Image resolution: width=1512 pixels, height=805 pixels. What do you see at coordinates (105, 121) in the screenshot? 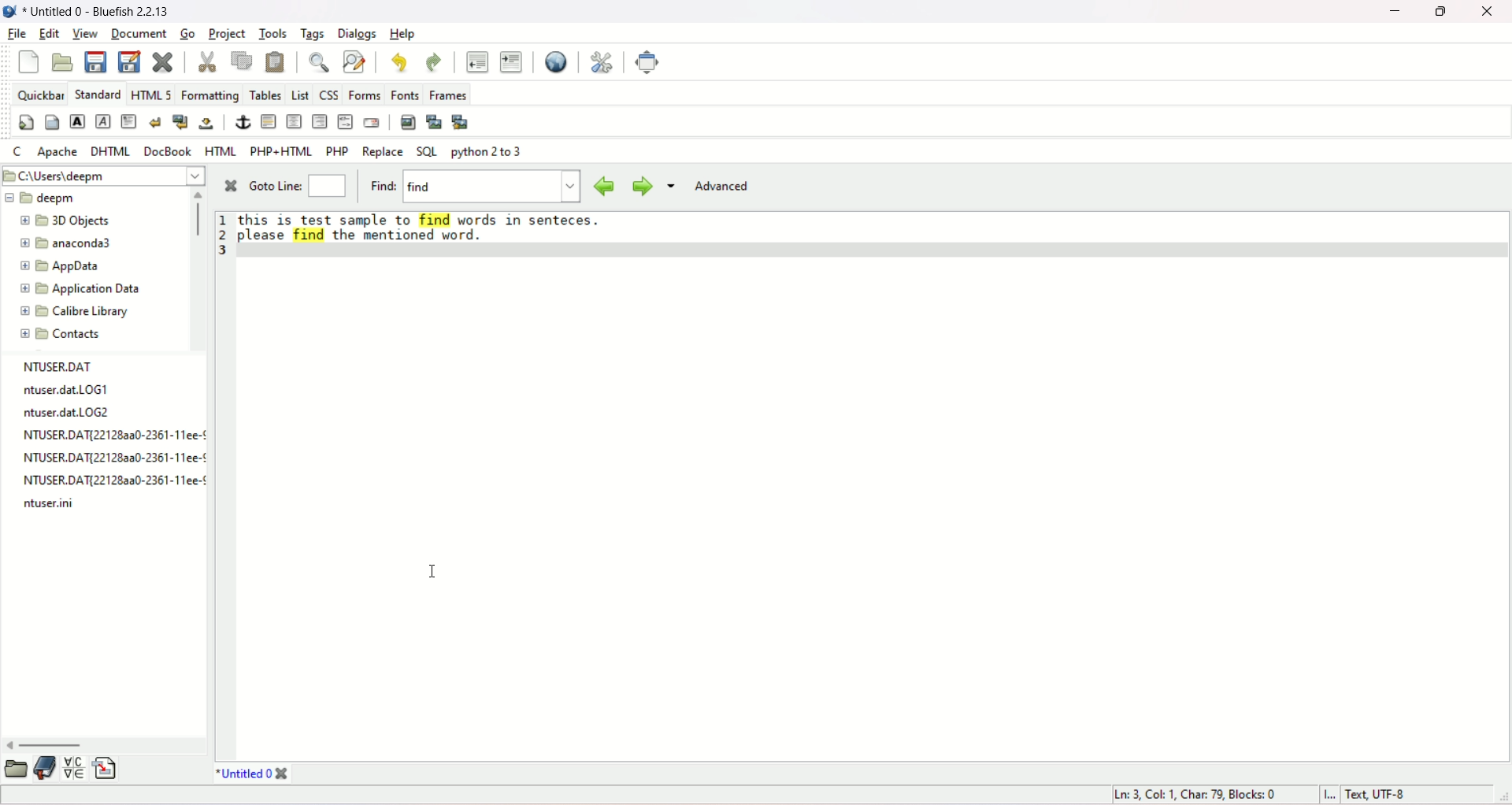
I see `emphasis` at bounding box center [105, 121].